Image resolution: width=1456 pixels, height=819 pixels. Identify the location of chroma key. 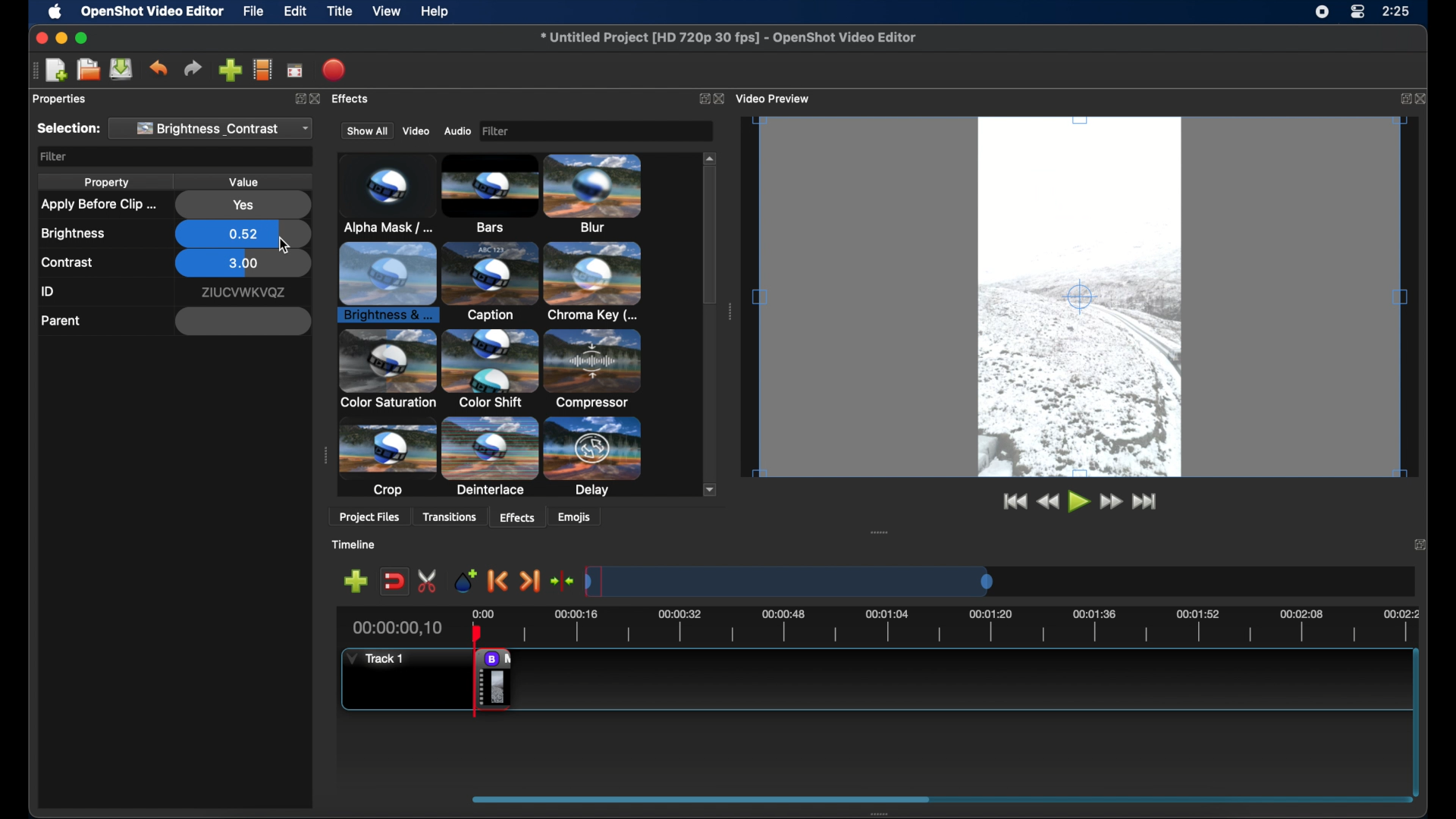
(388, 282).